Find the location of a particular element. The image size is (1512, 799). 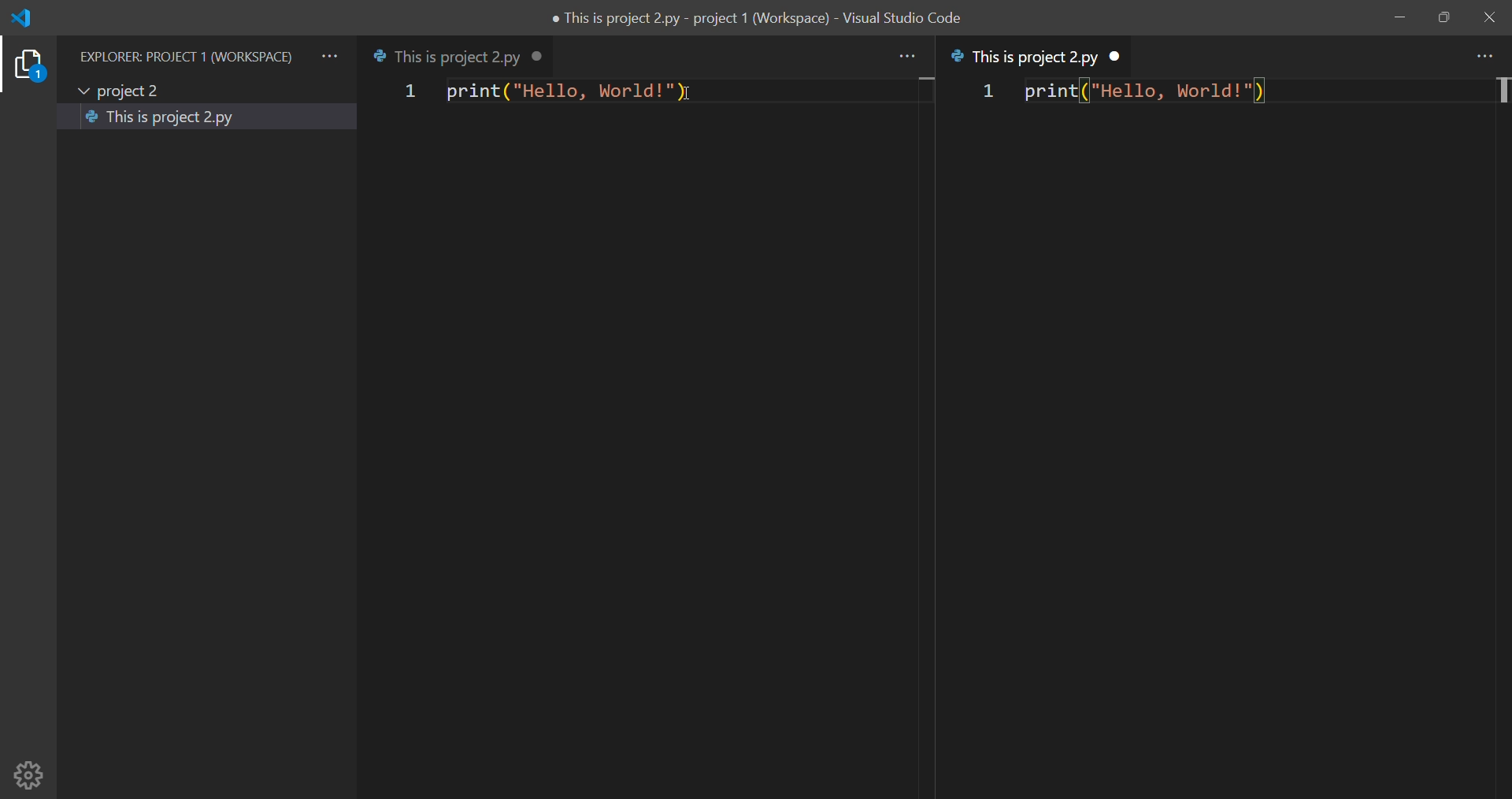

project2 is located at coordinates (126, 88).